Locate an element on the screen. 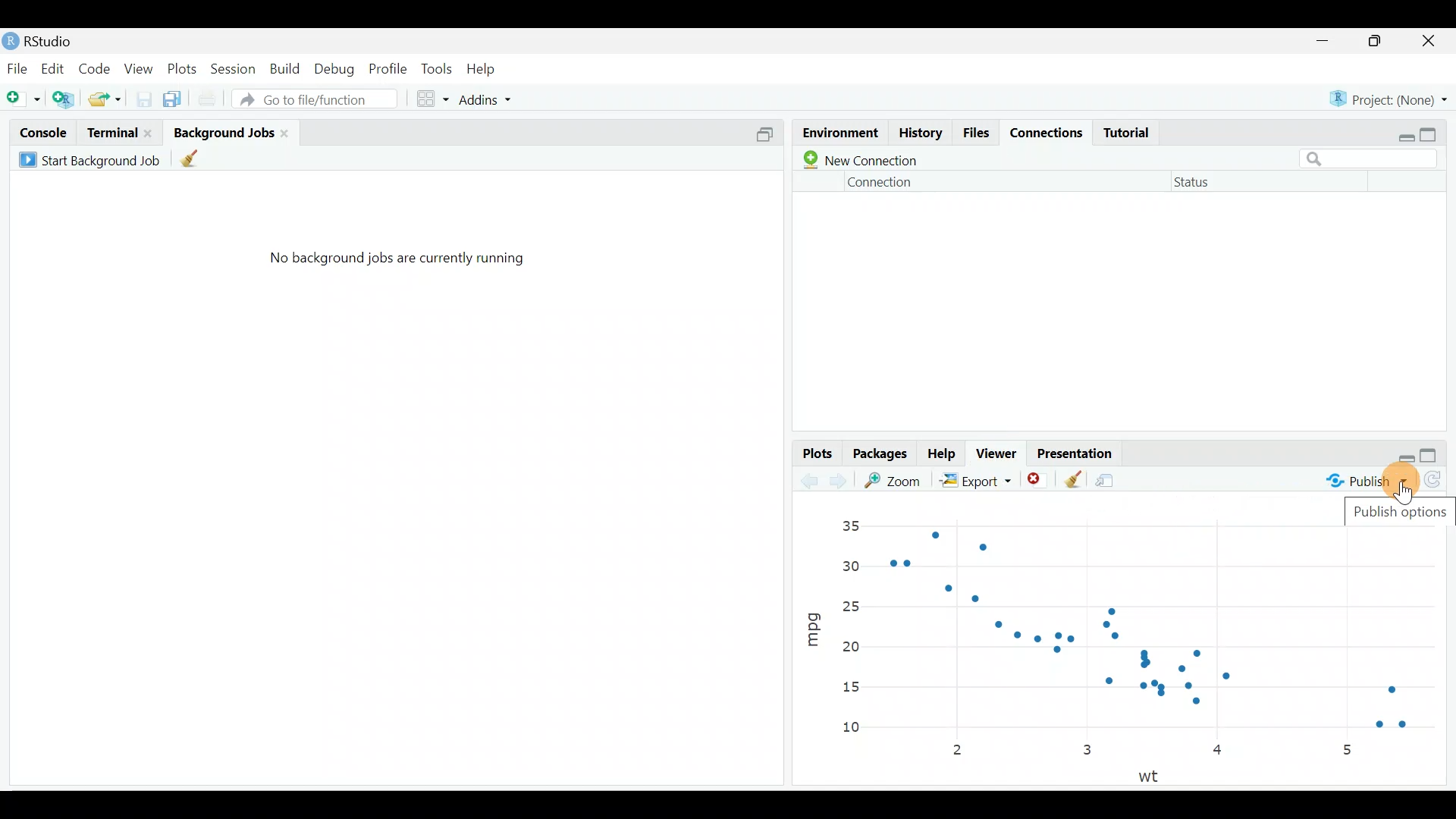  Maximize is located at coordinates (1437, 455).